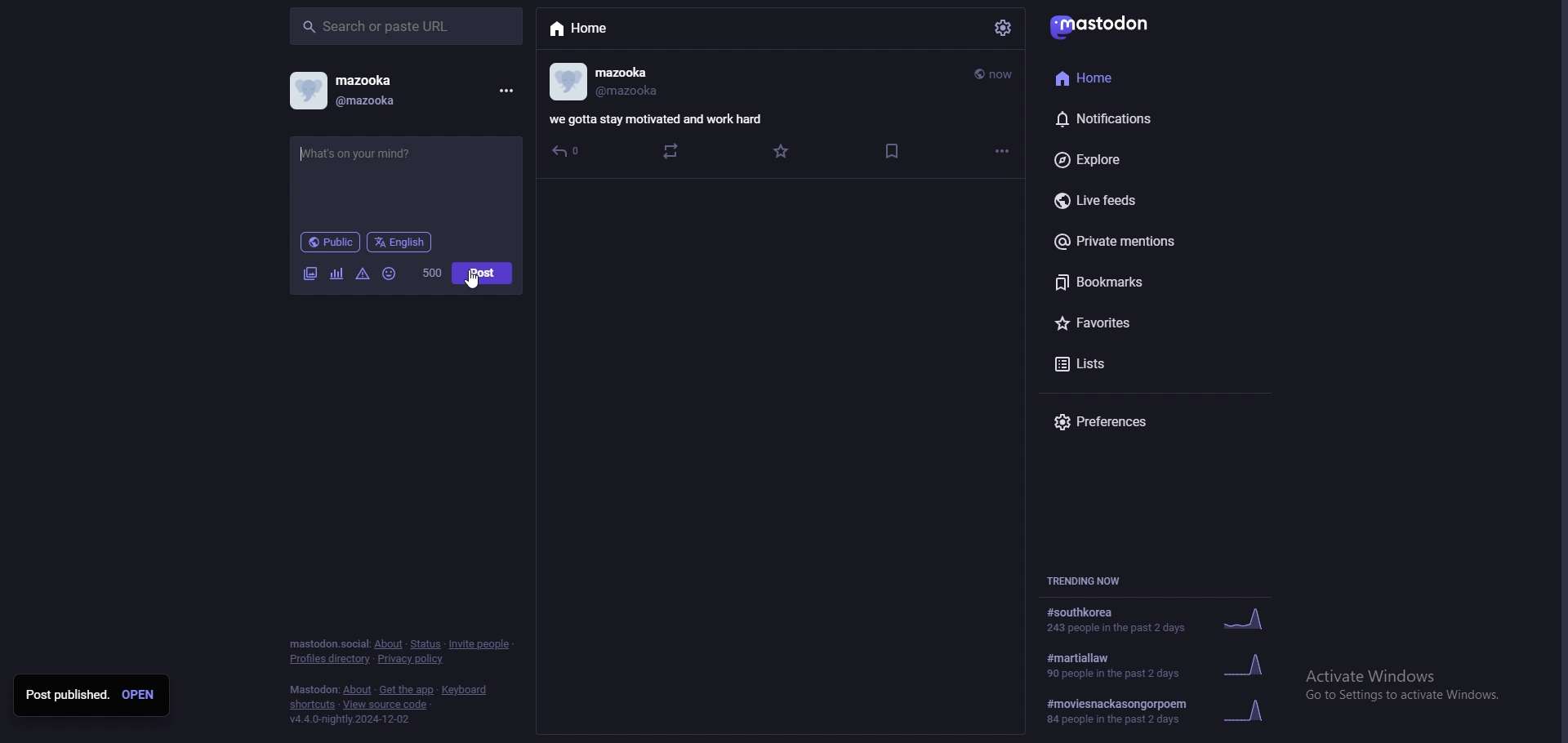 The image size is (1568, 743). I want to click on trending now, so click(1089, 581).